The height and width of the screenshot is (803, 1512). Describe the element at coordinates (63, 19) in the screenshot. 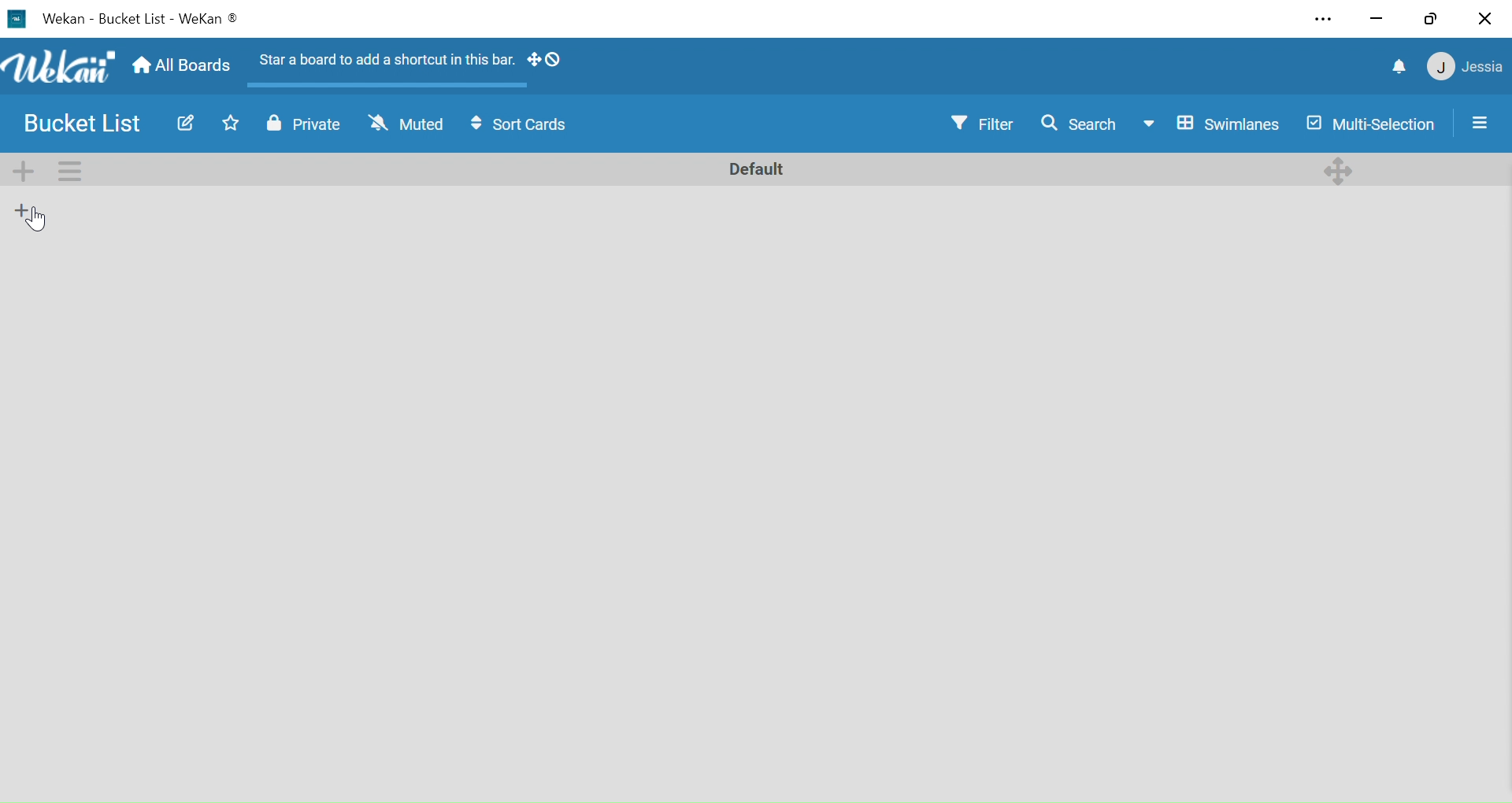

I see `Wekan` at that location.